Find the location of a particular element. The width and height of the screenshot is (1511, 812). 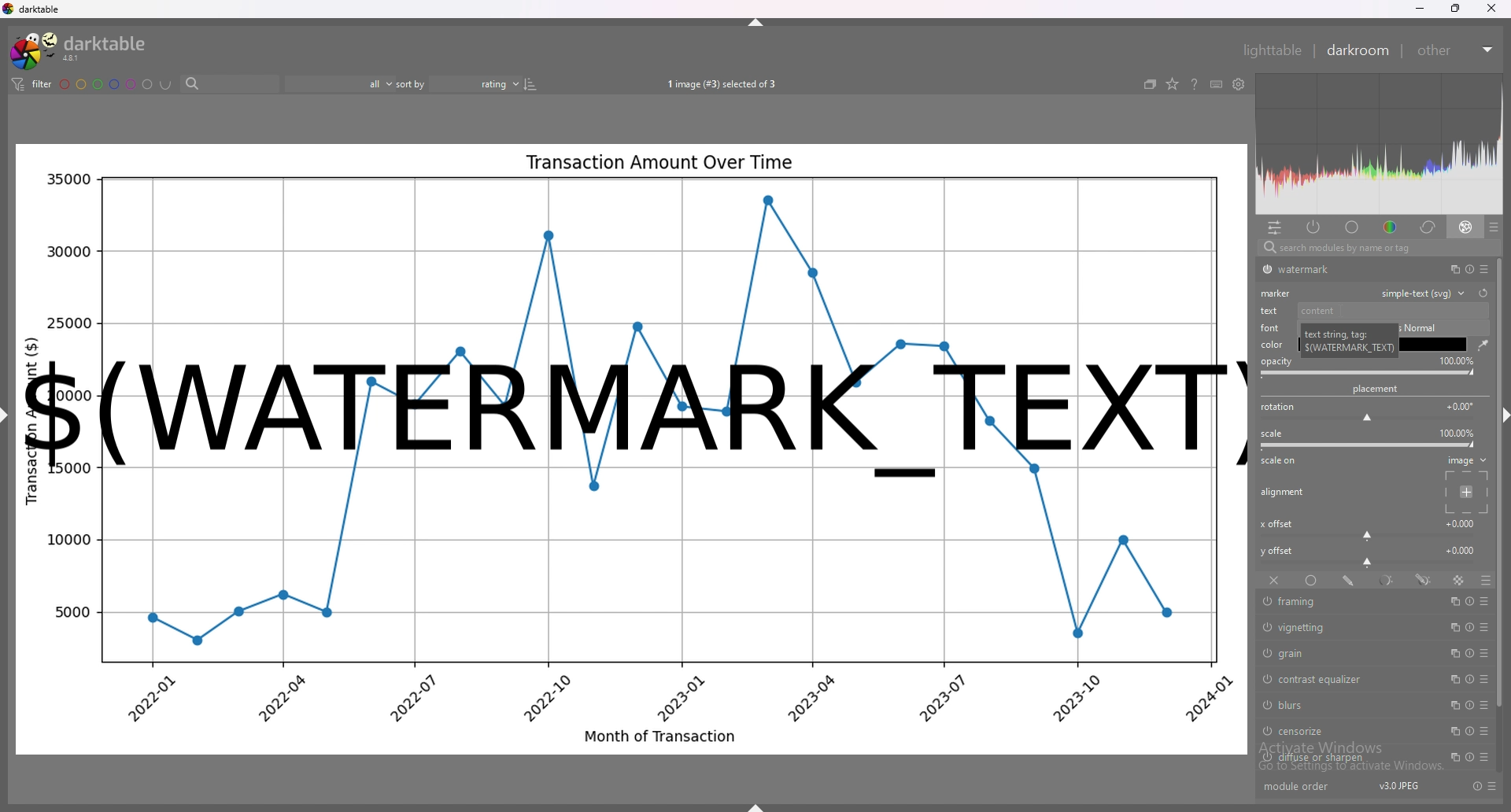

switch off is located at coordinates (1265, 270).